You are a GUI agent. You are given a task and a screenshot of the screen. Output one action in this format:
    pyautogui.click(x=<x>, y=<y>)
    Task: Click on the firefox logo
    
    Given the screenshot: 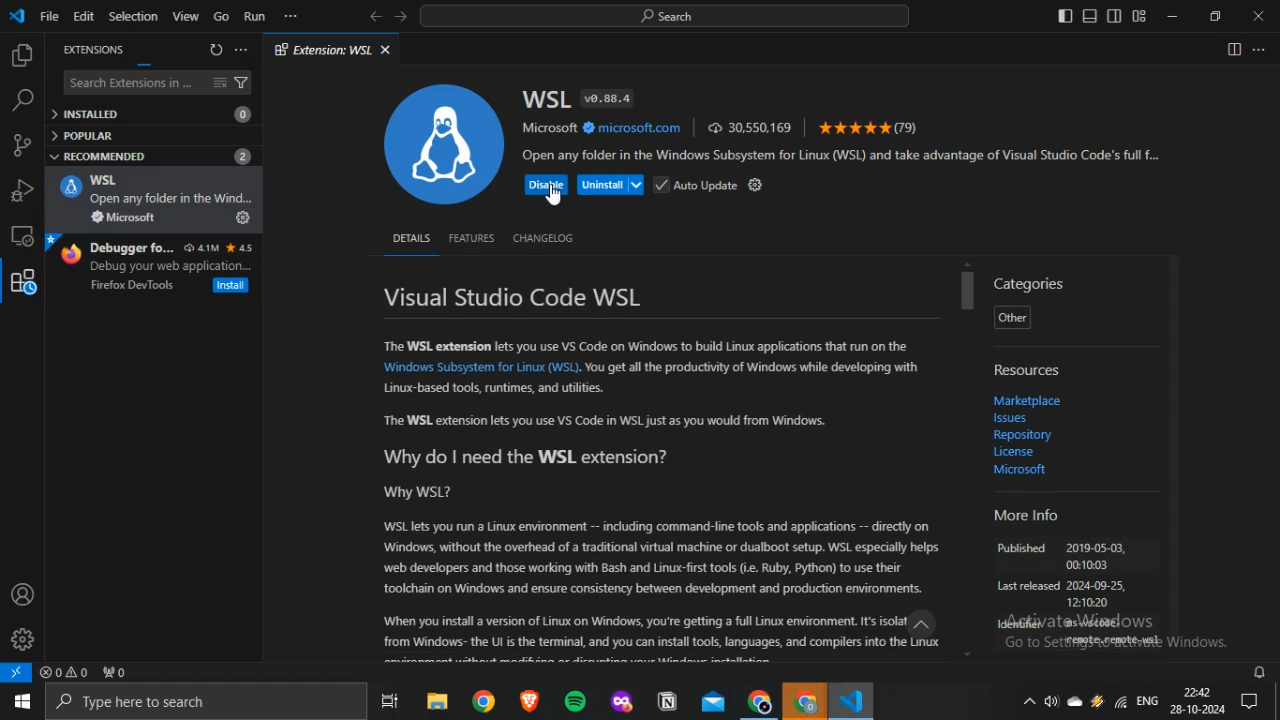 What is the action you would take?
    pyautogui.click(x=69, y=253)
    